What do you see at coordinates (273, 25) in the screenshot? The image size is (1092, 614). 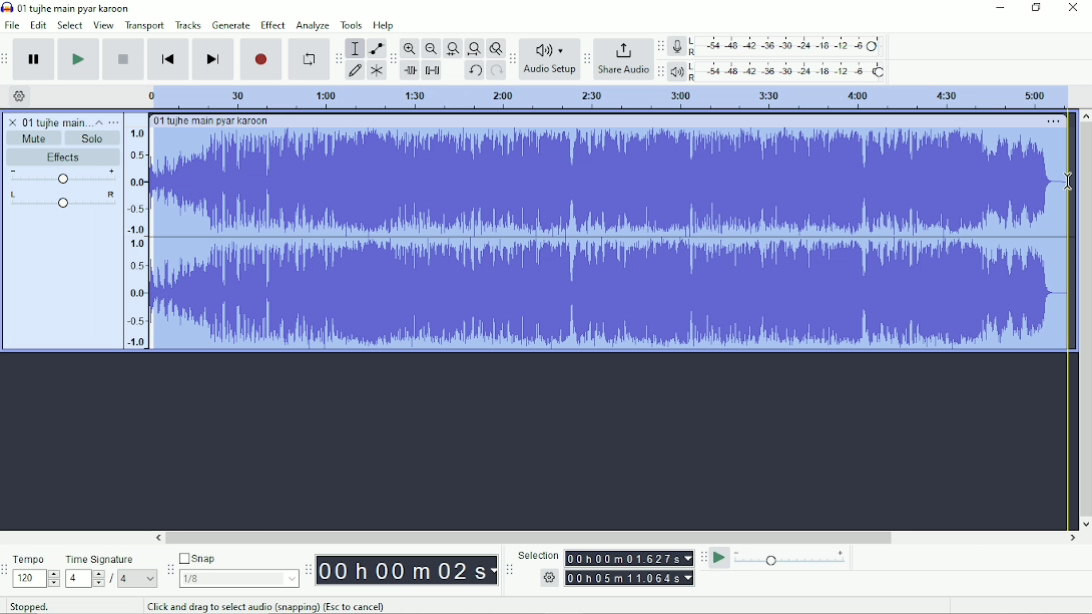 I see `Effect` at bounding box center [273, 25].